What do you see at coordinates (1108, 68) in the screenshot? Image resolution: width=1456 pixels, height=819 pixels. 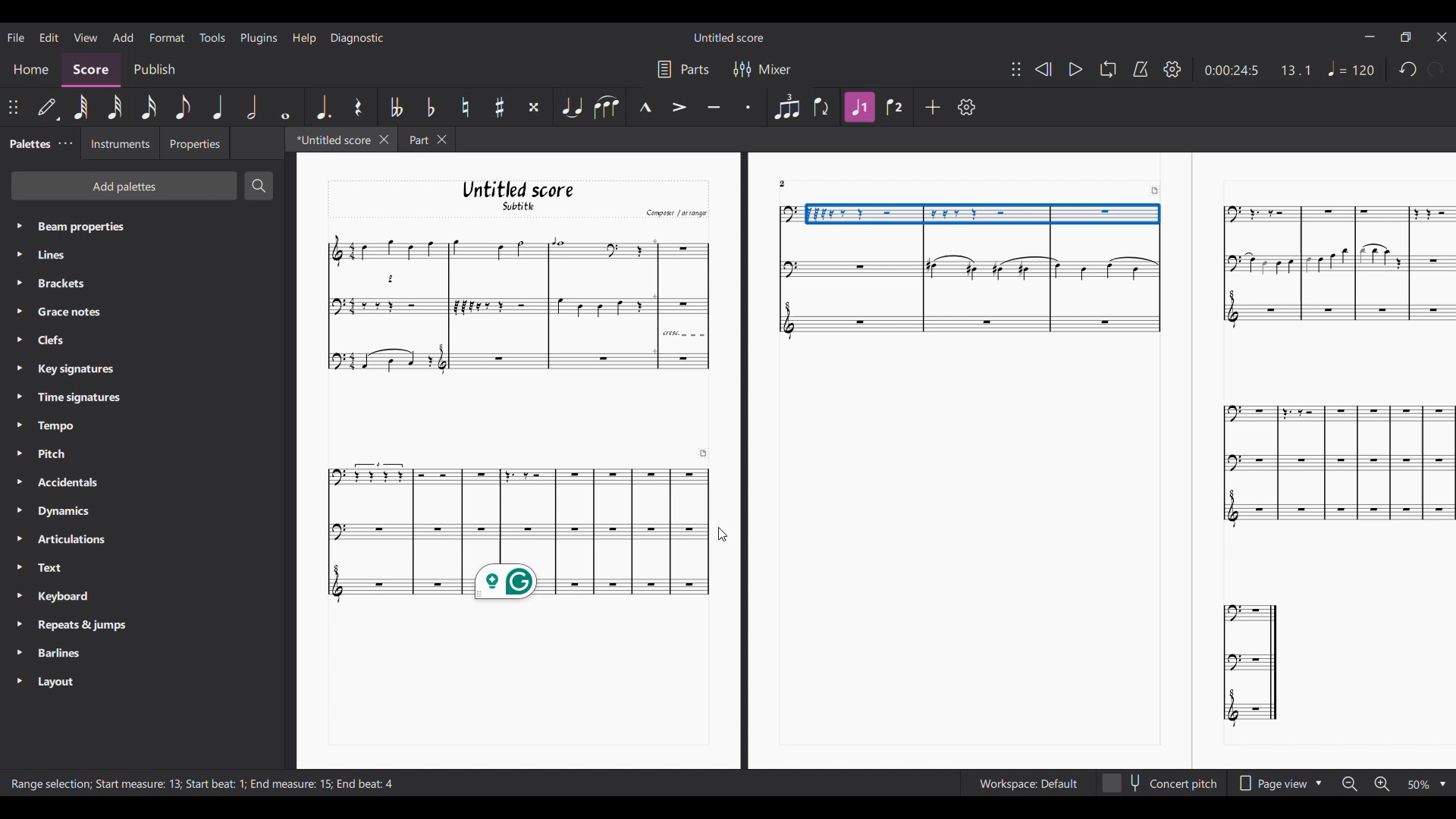 I see `Loop playback` at bounding box center [1108, 68].